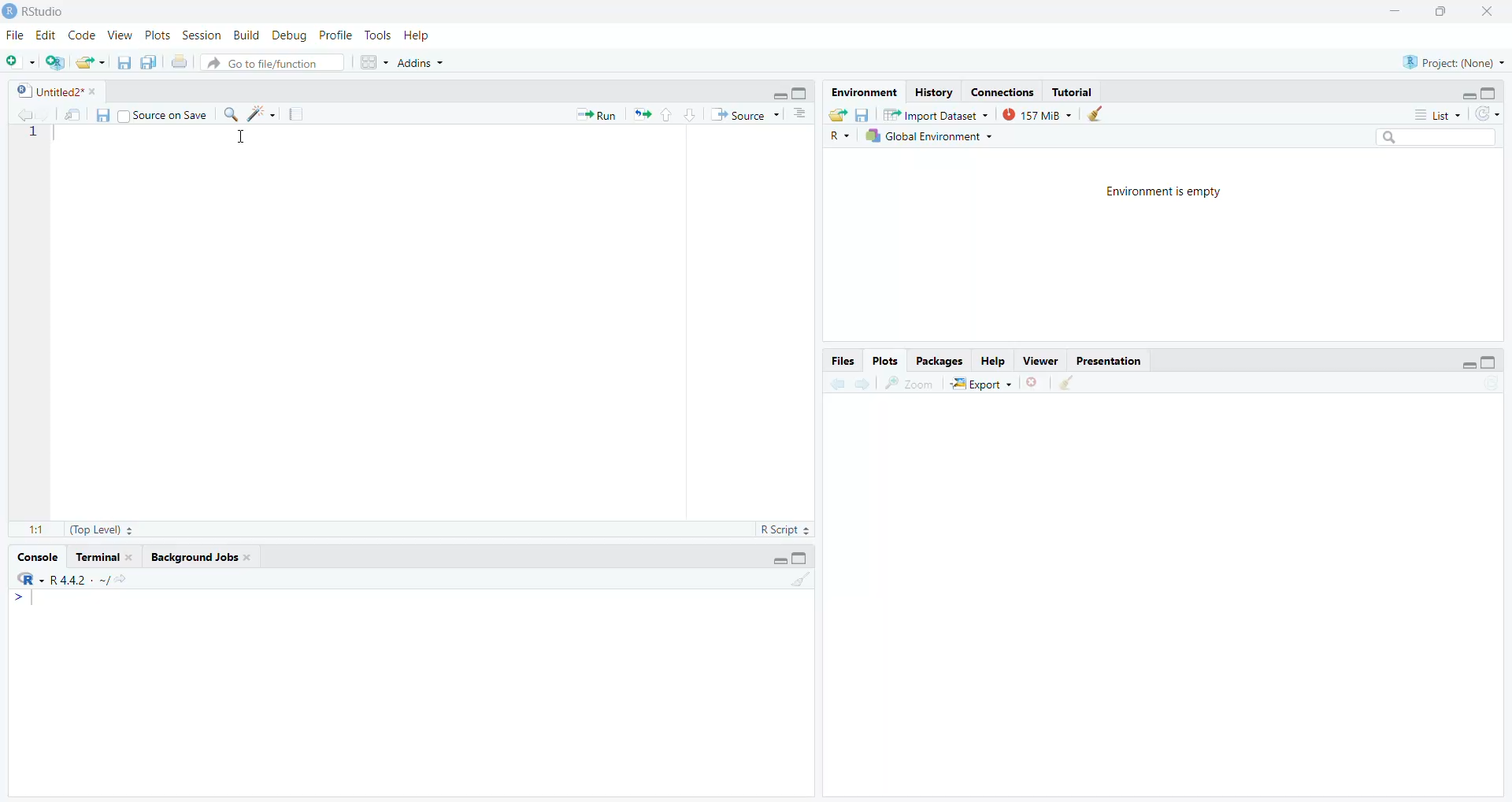 This screenshot has width=1512, height=802. What do you see at coordinates (845, 136) in the screenshot?
I see `R` at bounding box center [845, 136].